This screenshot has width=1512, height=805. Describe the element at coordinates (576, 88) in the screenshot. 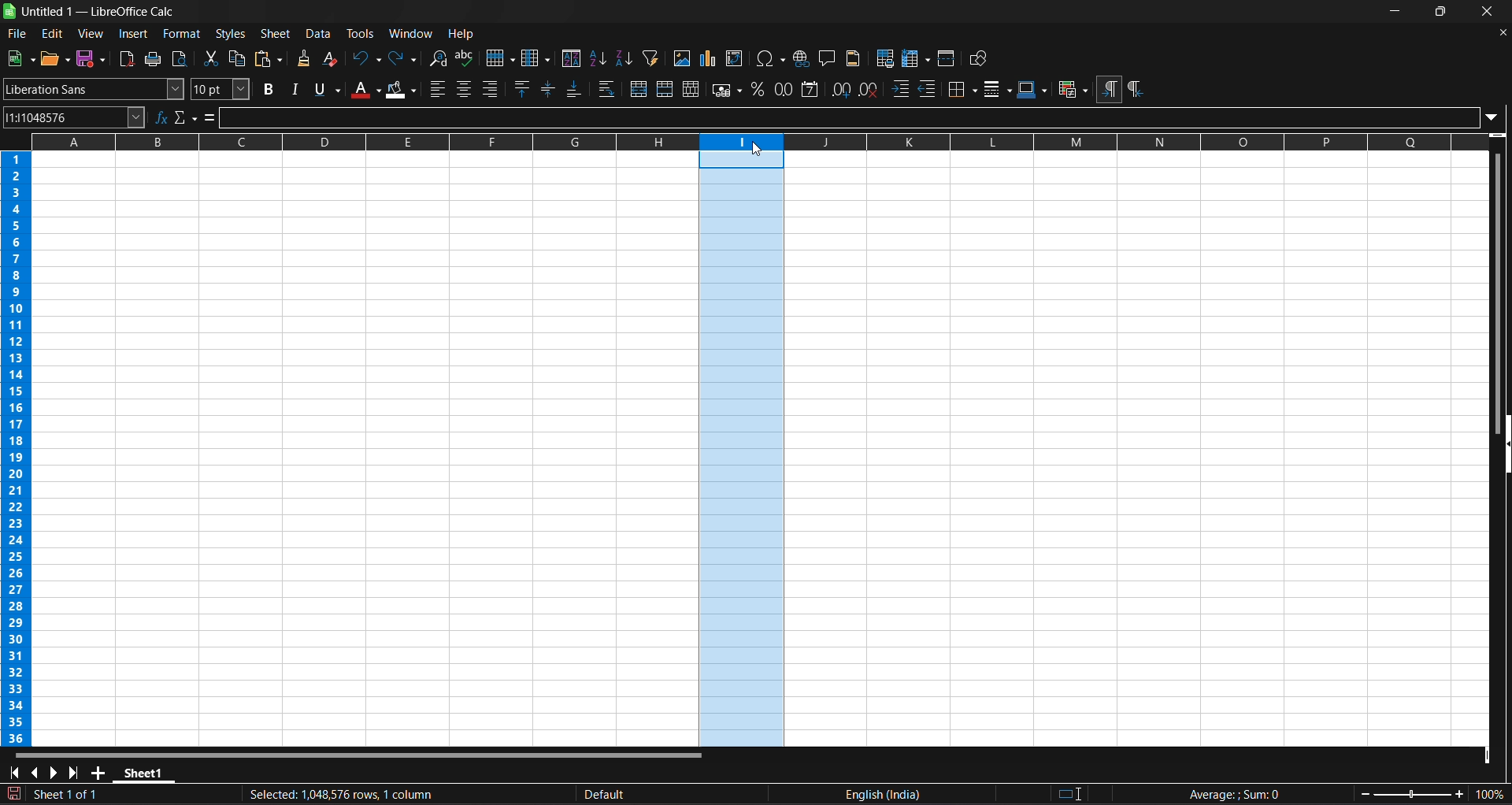

I see `align bottom` at that location.